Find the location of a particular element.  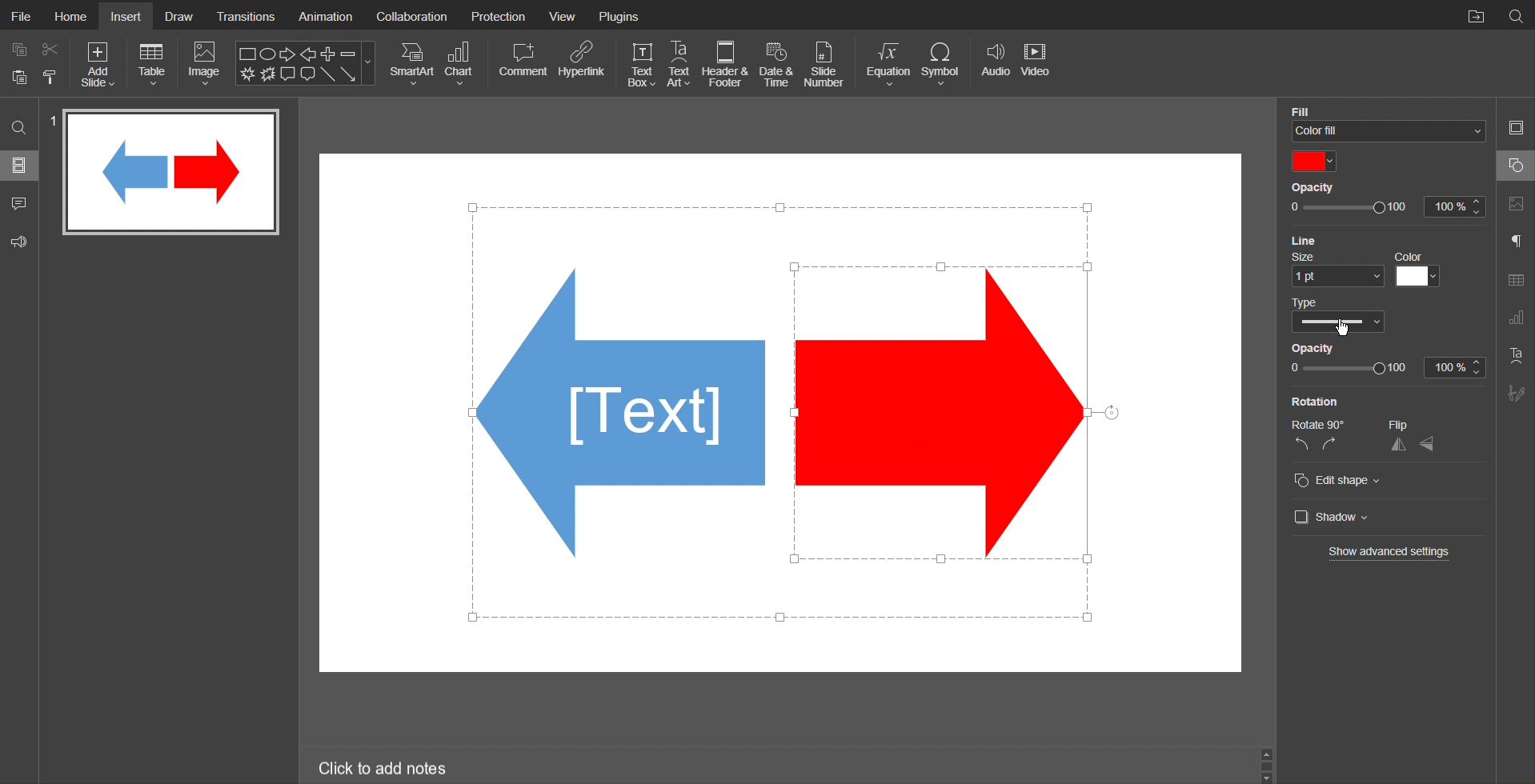

paste options is located at coordinates (51, 79).